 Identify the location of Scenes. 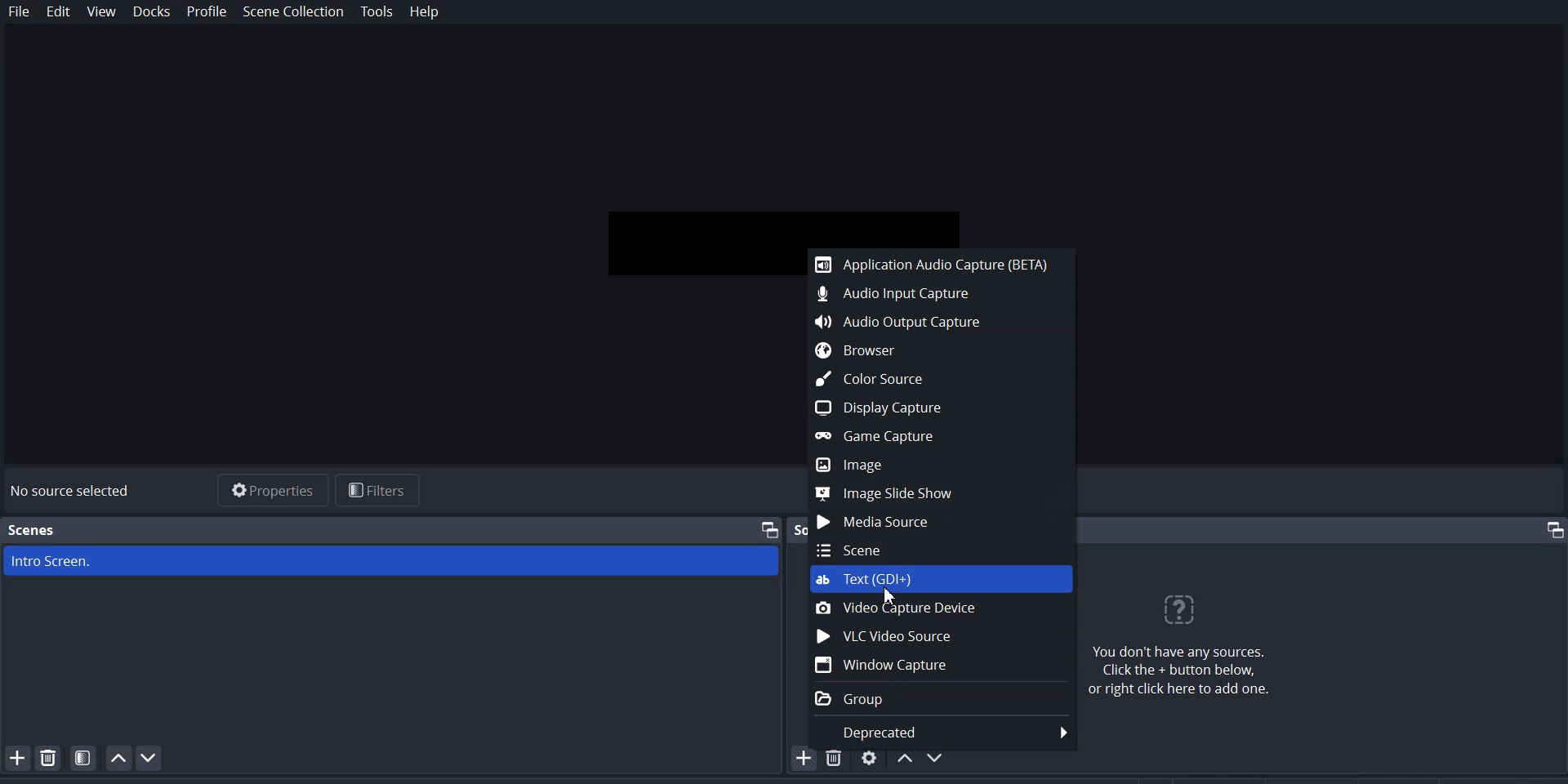
(33, 530).